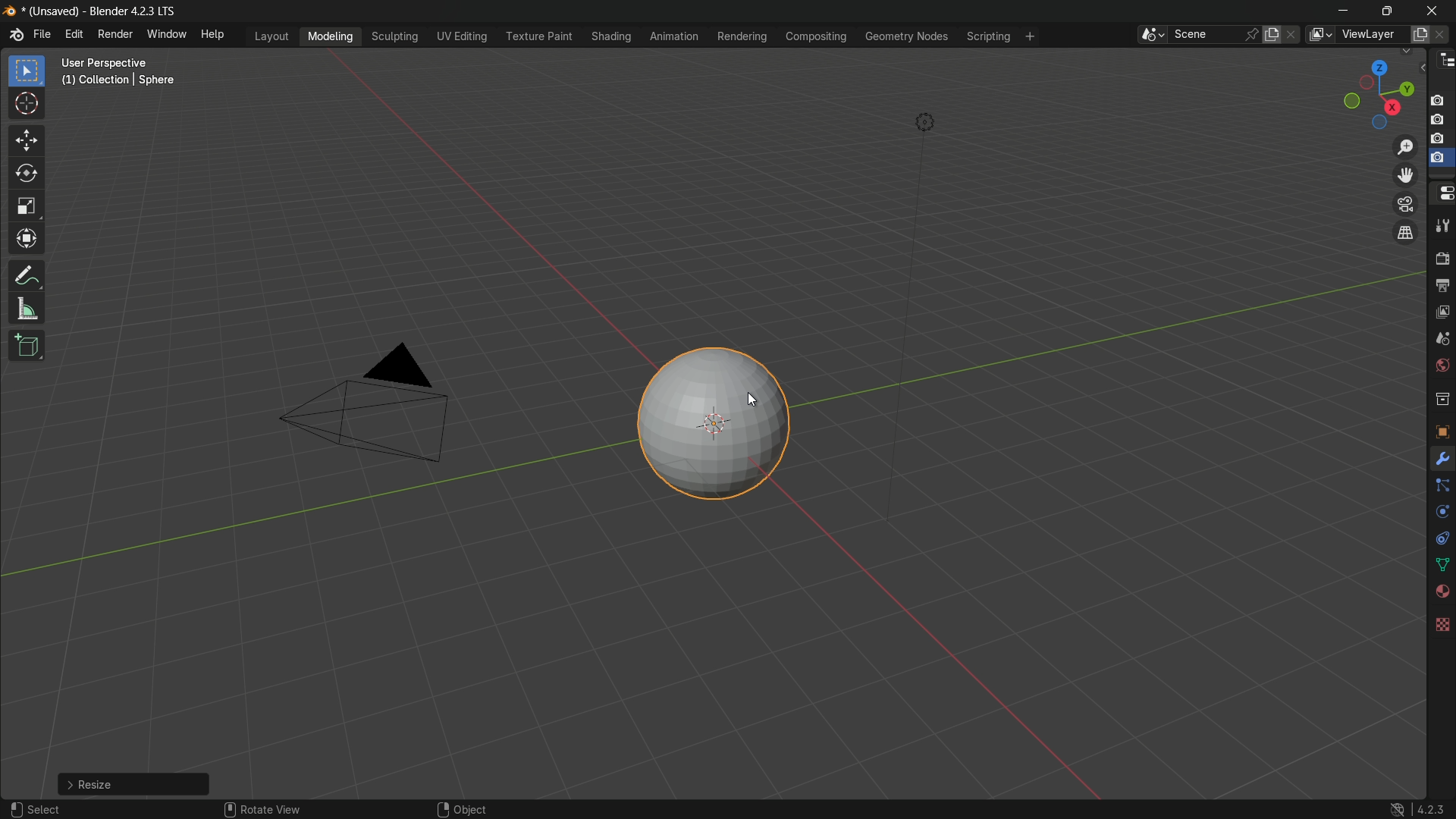 The height and width of the screenshot is (819, 1456). What do you see at coordinates (27, 276) in the screenshot?
I see `annotate` at bounding box center [27, 276].